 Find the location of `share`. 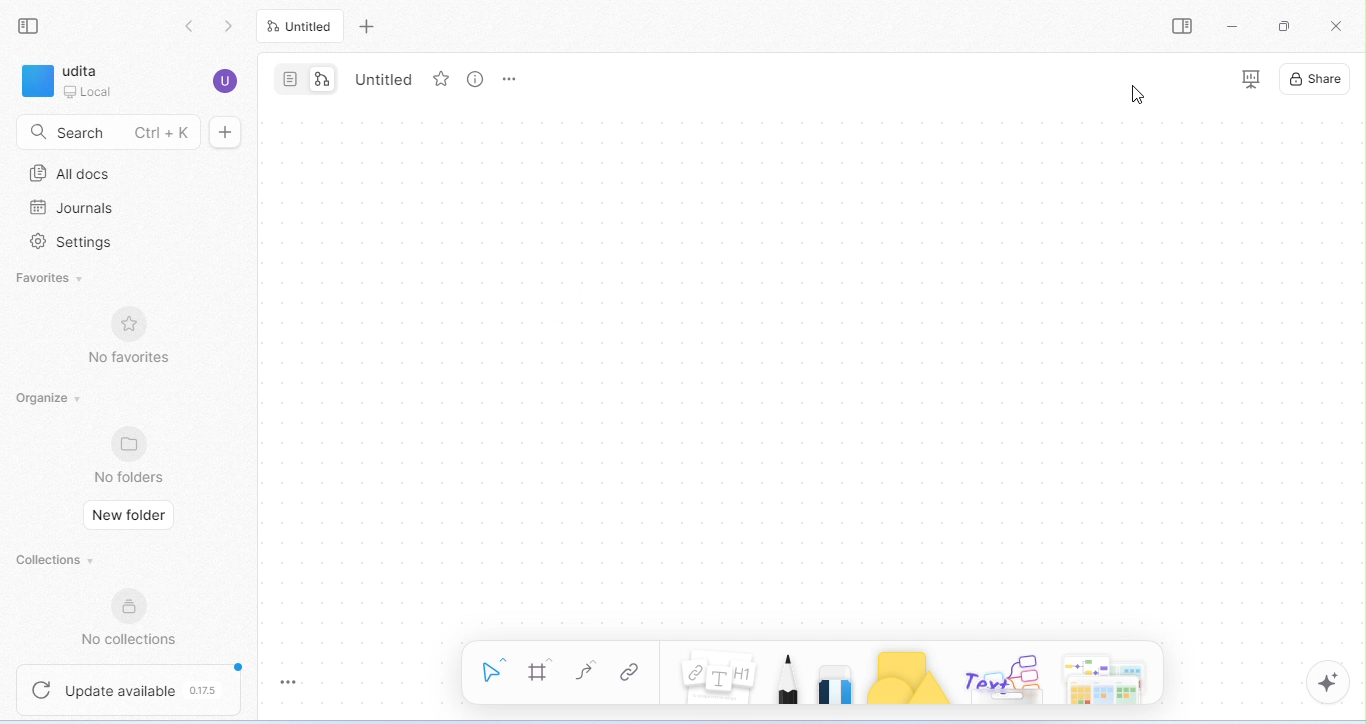

share is located at coordinates (1316, 81).